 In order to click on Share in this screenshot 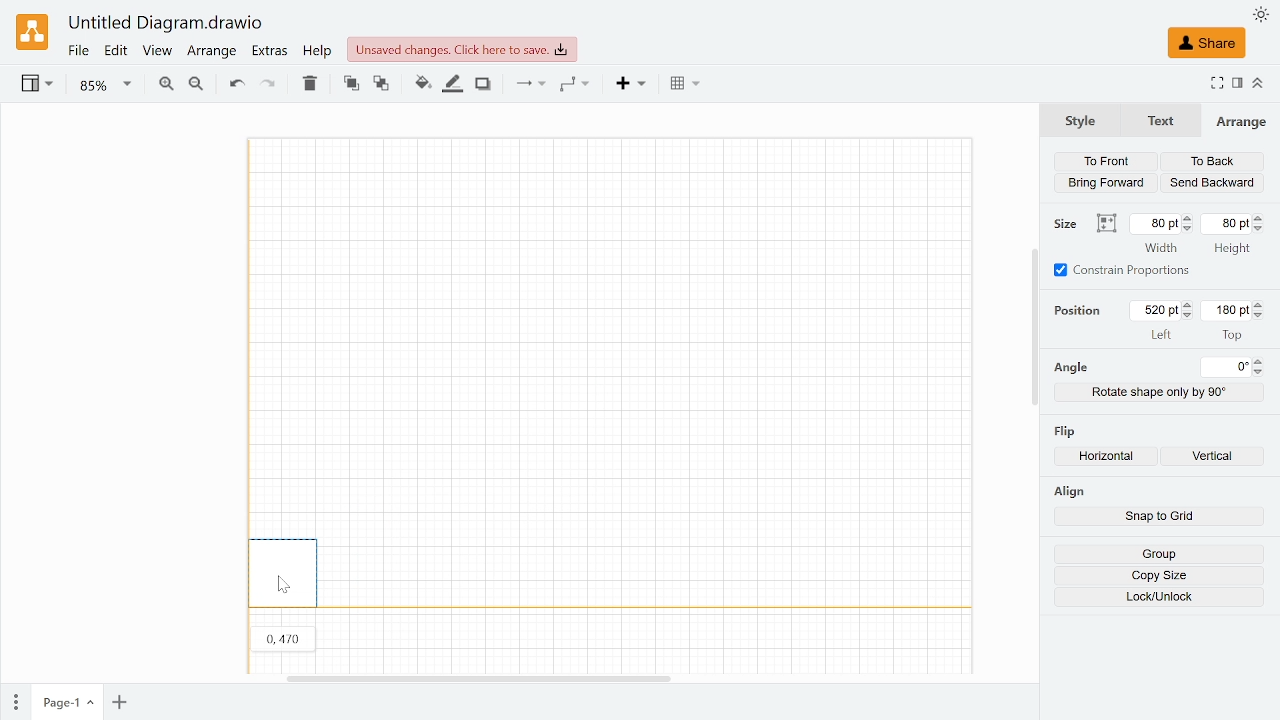, I will do `click(1206, 43)`.